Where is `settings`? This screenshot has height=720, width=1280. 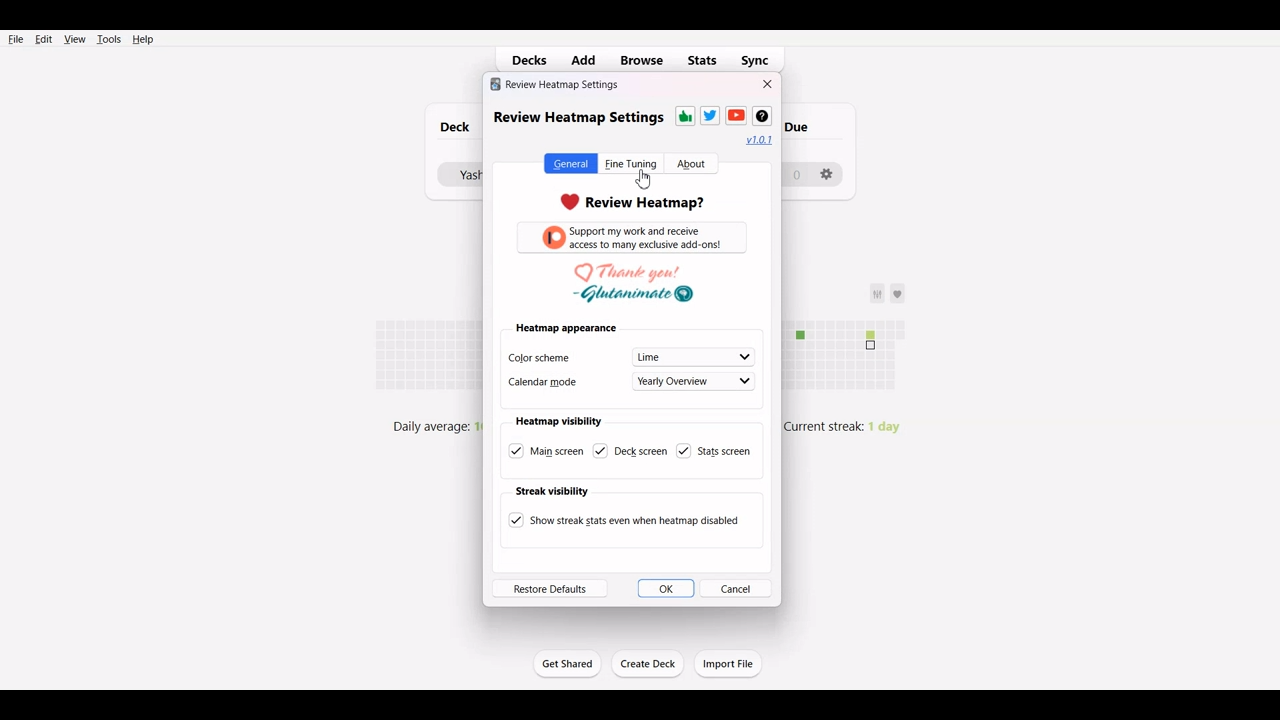
settings is located at coordinates (832, 176).